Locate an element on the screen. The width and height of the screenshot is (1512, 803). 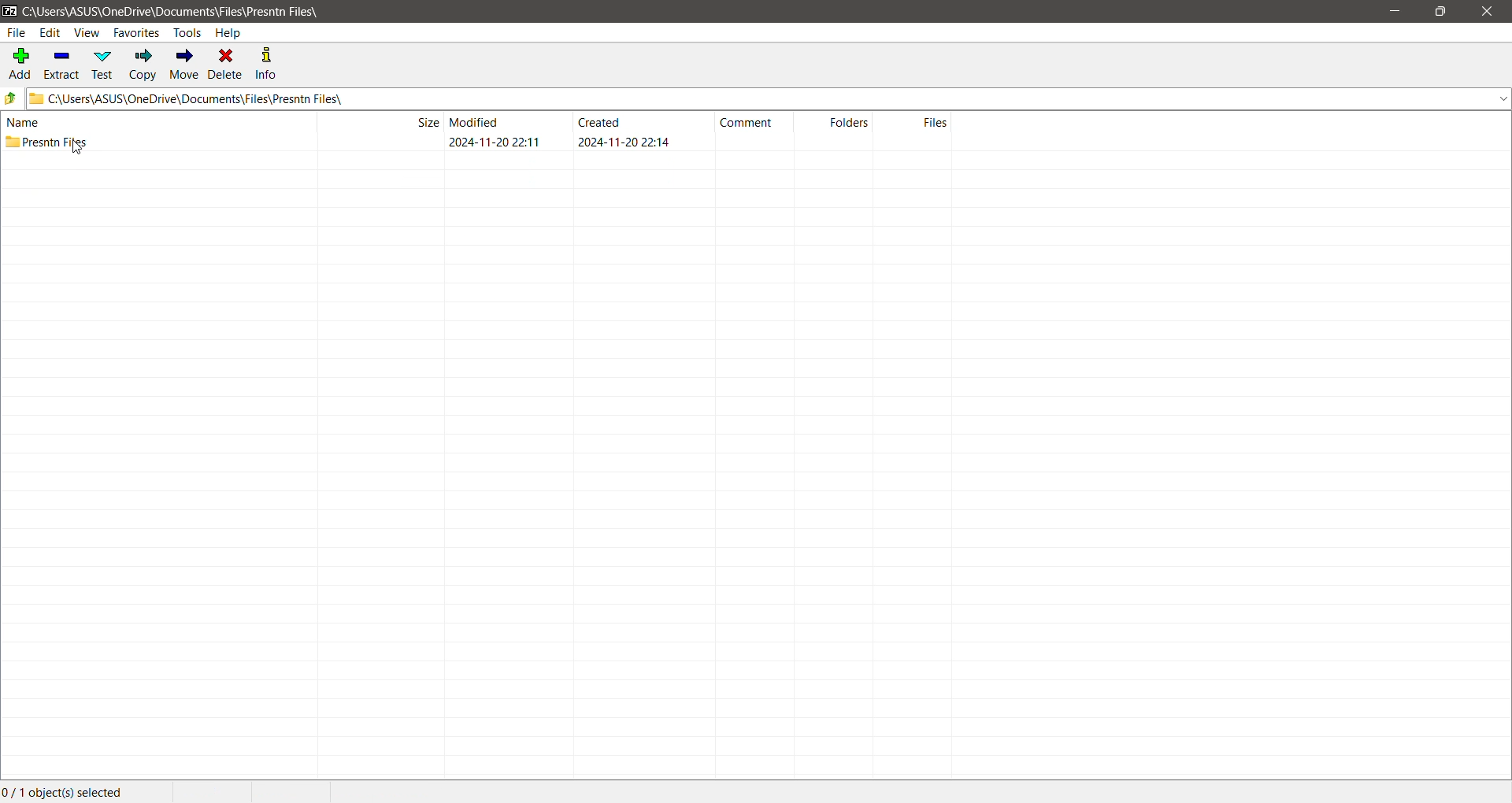
Move Up one level is located at coordinates (11, 98).